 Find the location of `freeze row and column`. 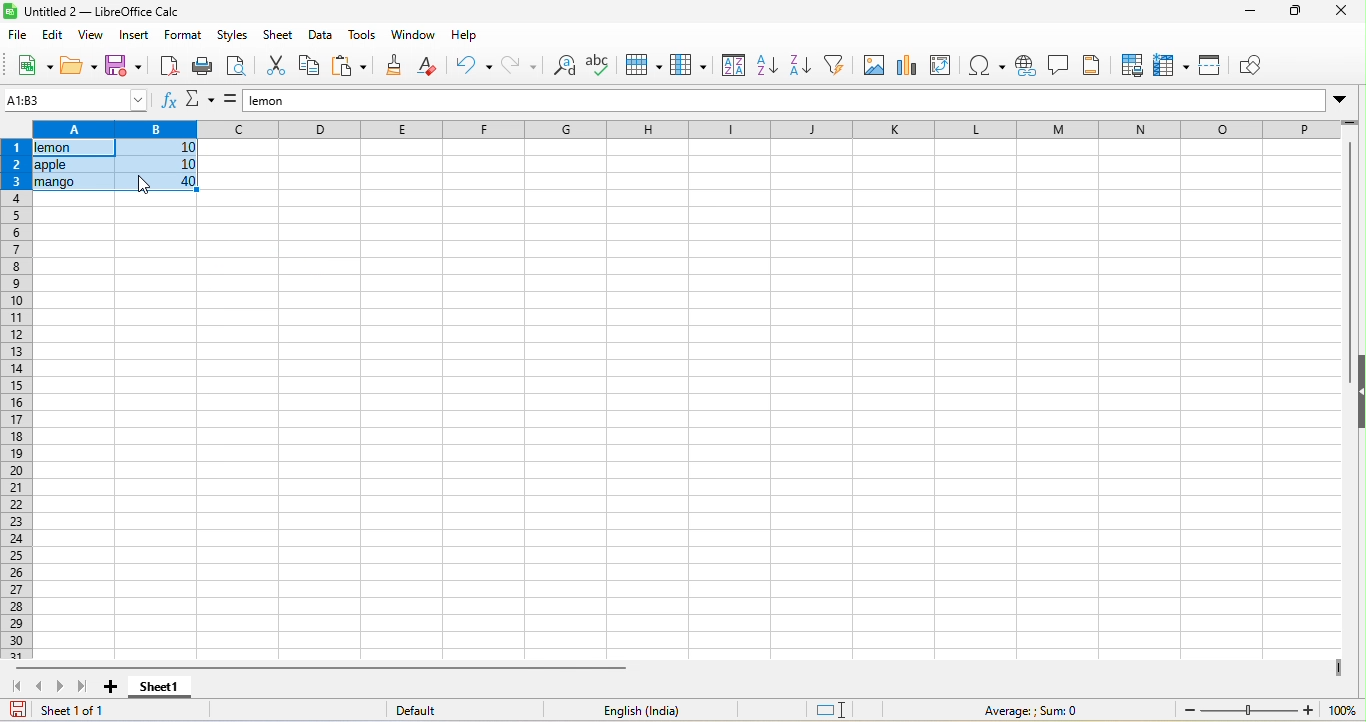

freeze row and column is located at coordinates (1171, 67).